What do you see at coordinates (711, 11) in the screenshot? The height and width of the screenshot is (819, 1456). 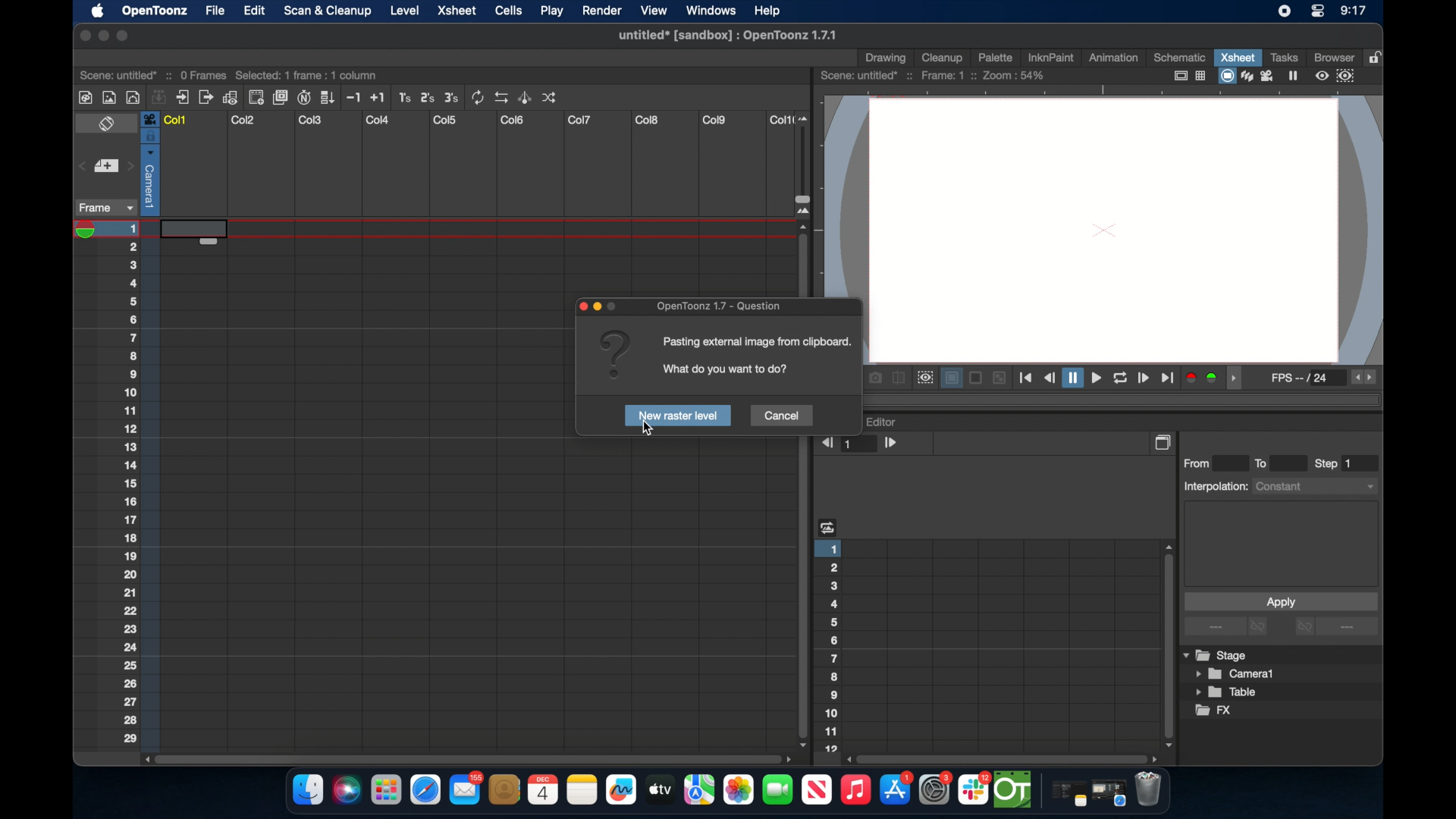 I see `windows` at bounding box center [711, 11].